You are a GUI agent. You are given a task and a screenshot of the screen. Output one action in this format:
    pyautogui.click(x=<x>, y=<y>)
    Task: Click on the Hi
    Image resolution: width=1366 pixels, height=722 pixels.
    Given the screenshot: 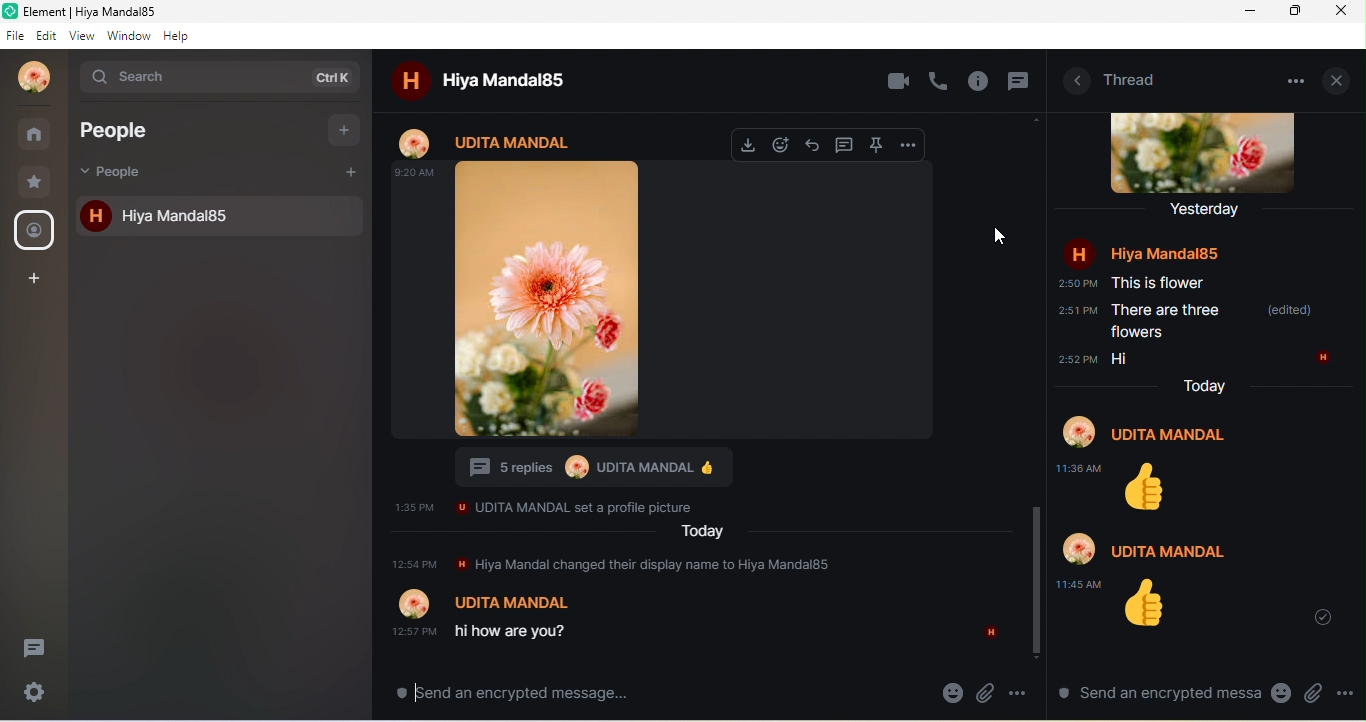 What is the action you would take?
    pyautogui.click(x=1117, y=359)
    